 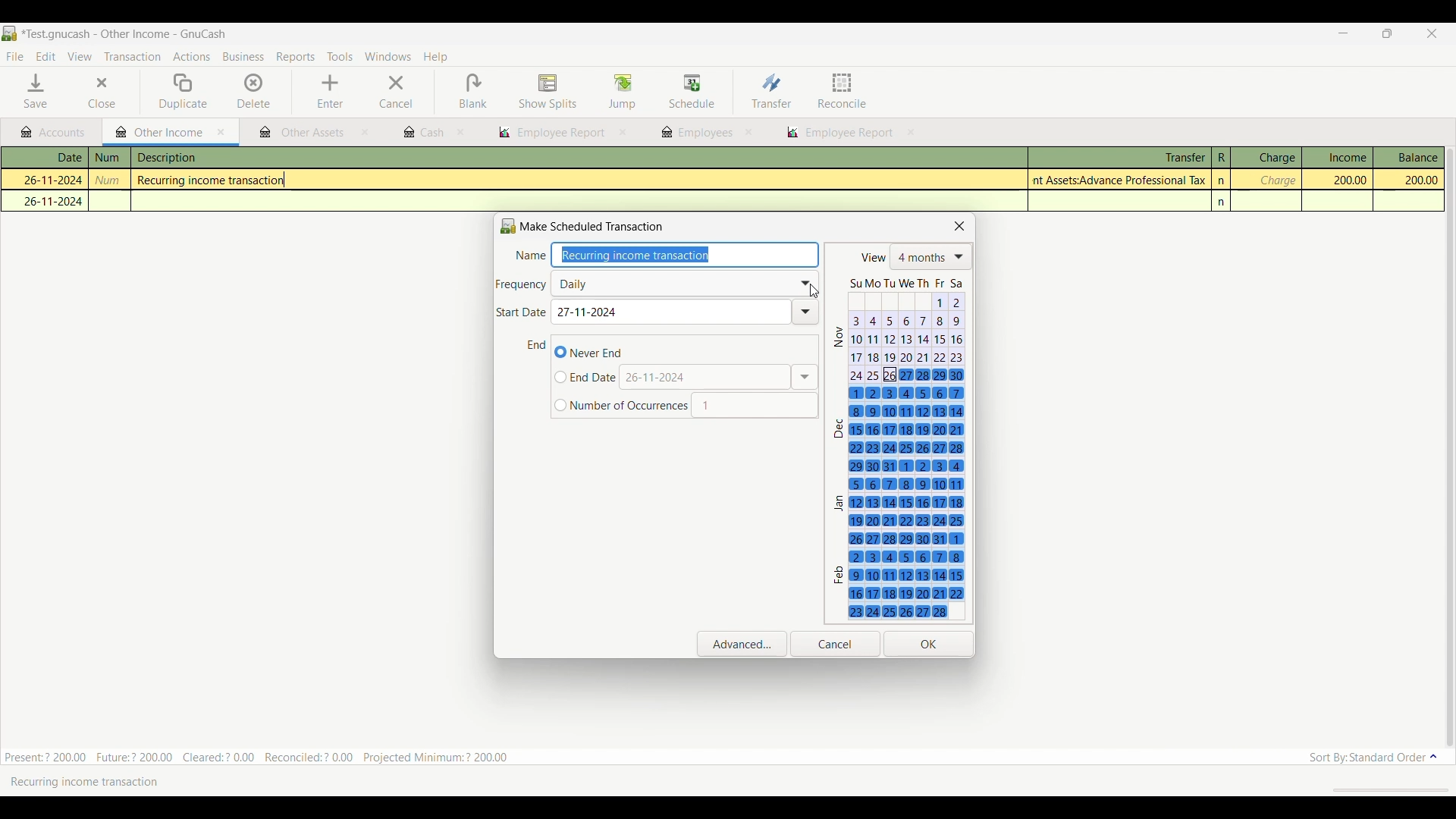 I want to click on Save inputs, so click(x=929, y=645).